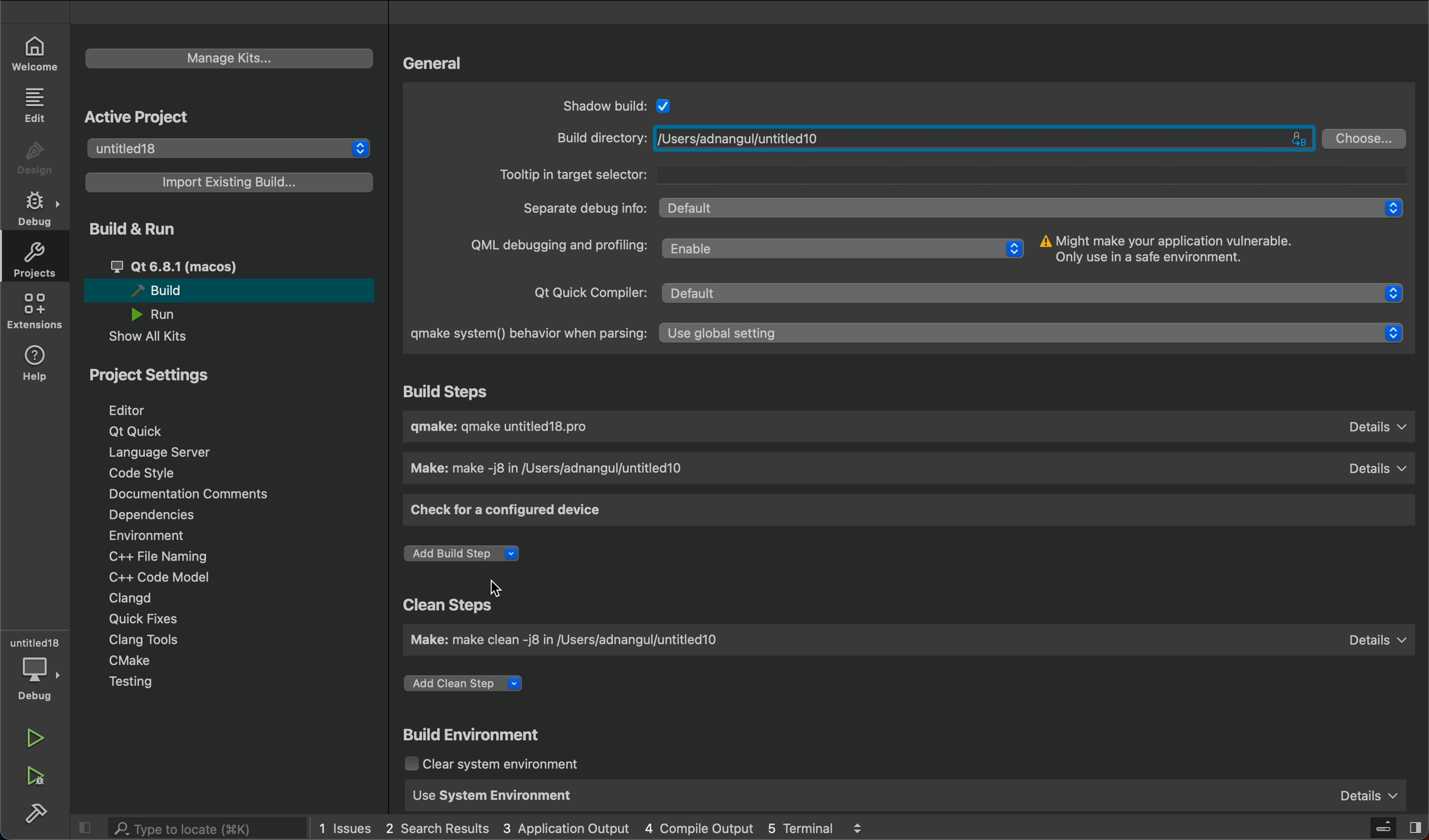 The width and height of the screenshot is (1429, 840). I want to click on /Users/adnangul/untitled10, so click(983, 138).